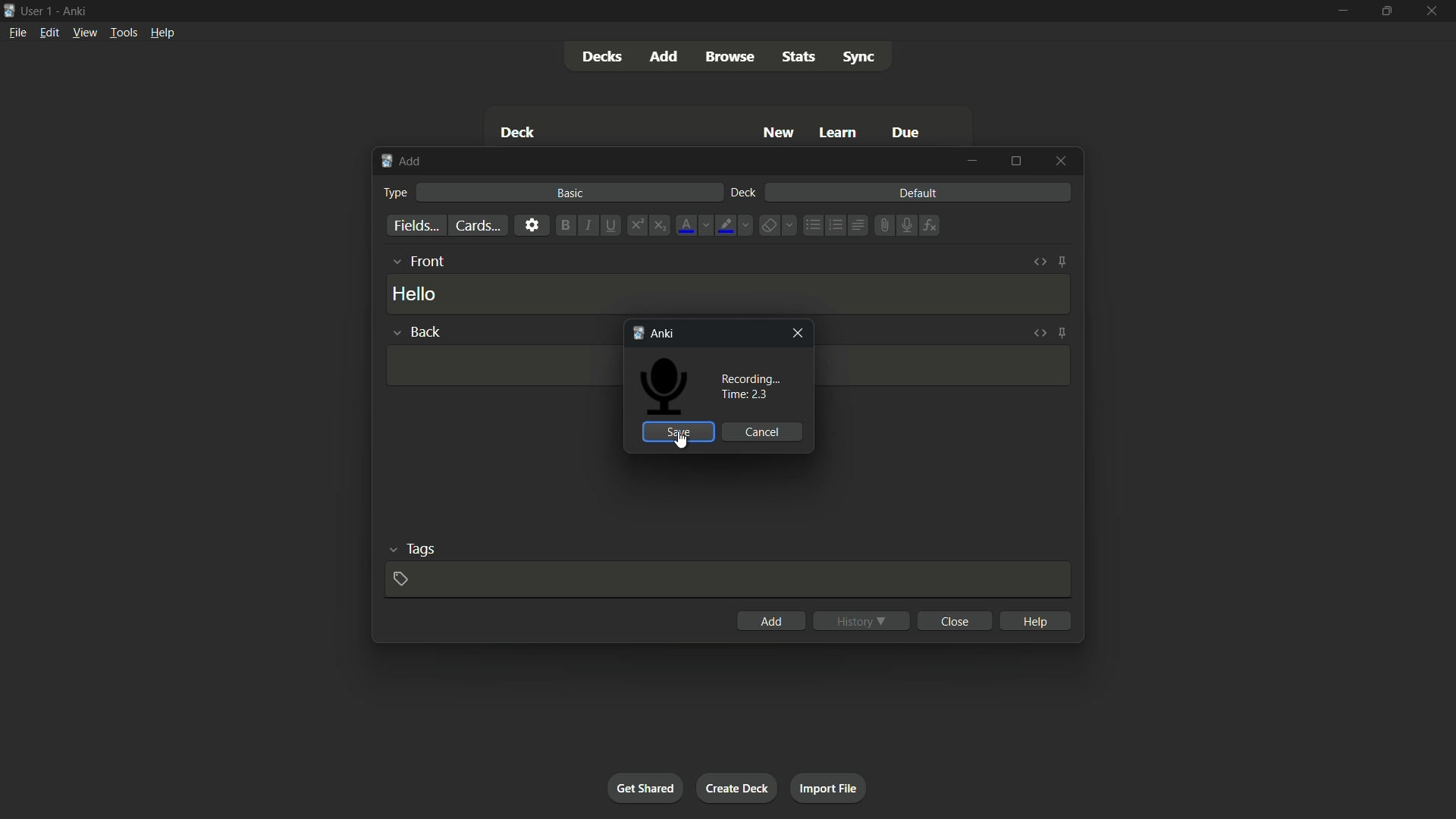  Describe the element at coordinates (695, 226) in the screenshot. I see `font color` at that location.